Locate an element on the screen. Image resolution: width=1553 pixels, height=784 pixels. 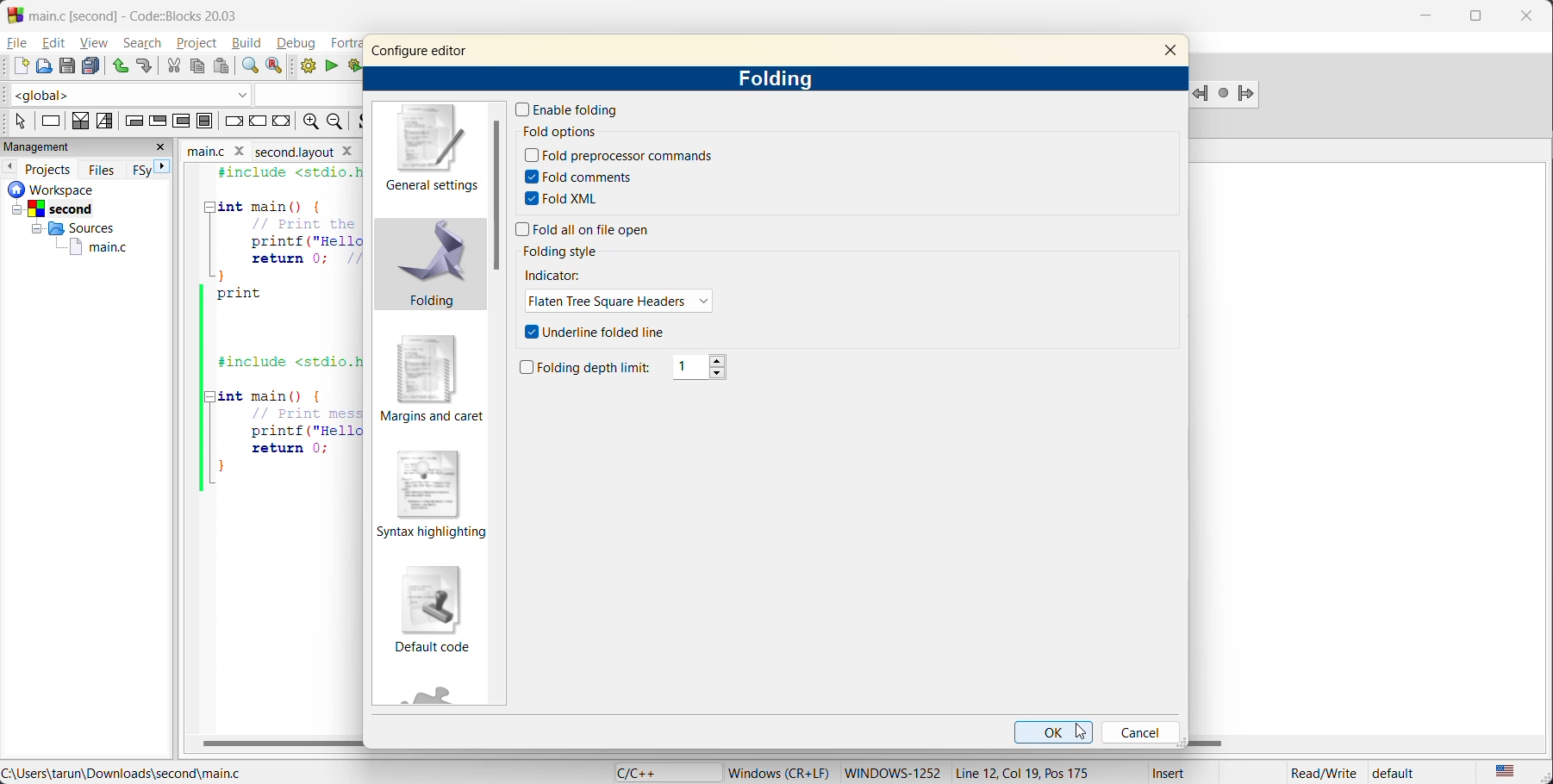
exit condition loop is located at coordinates (155, 121).